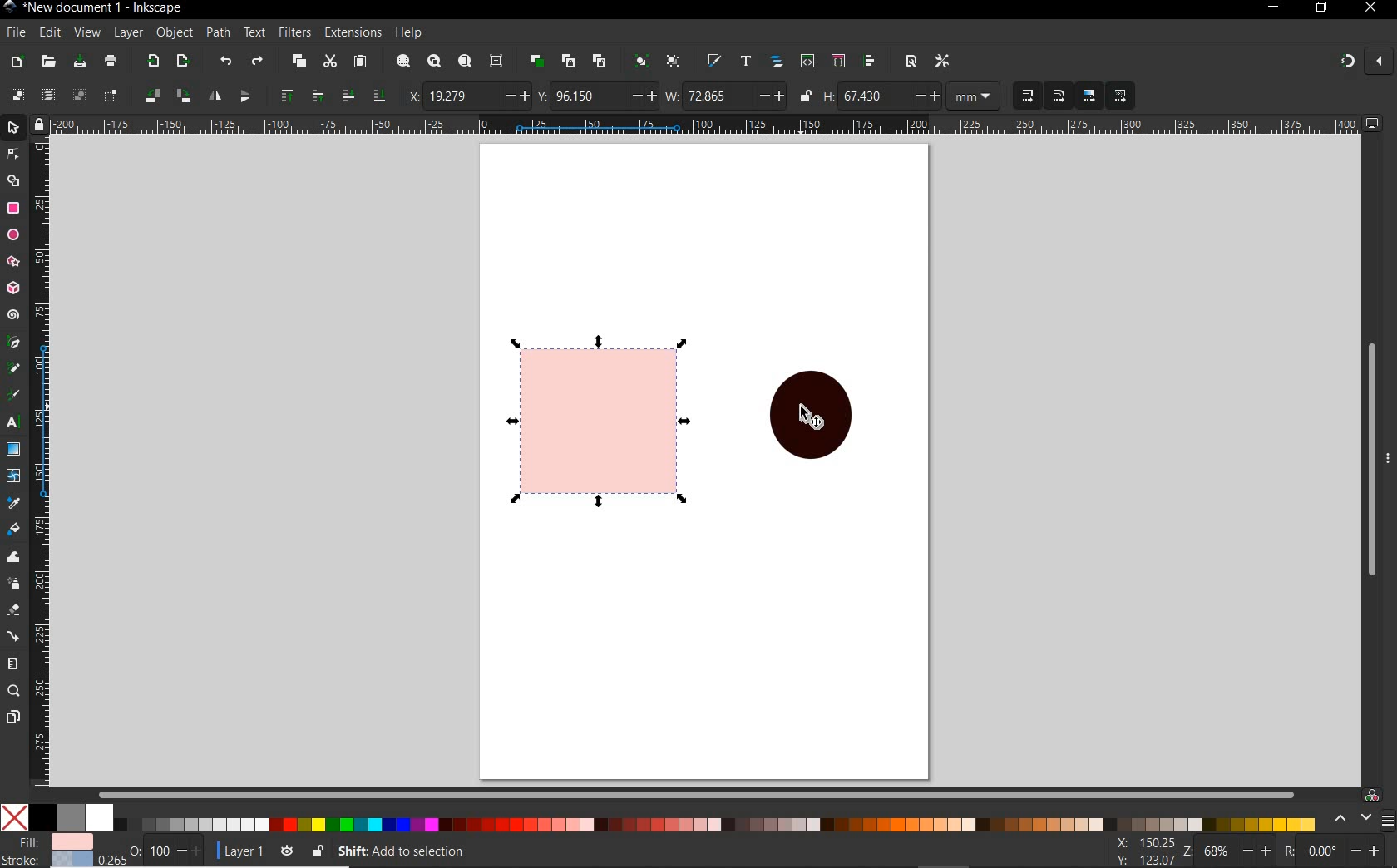 The height and width of the screenshot is (868, 1397). Describe the element at coordinates (674, 61) in the screenshot. I see `ungroup` at that location.